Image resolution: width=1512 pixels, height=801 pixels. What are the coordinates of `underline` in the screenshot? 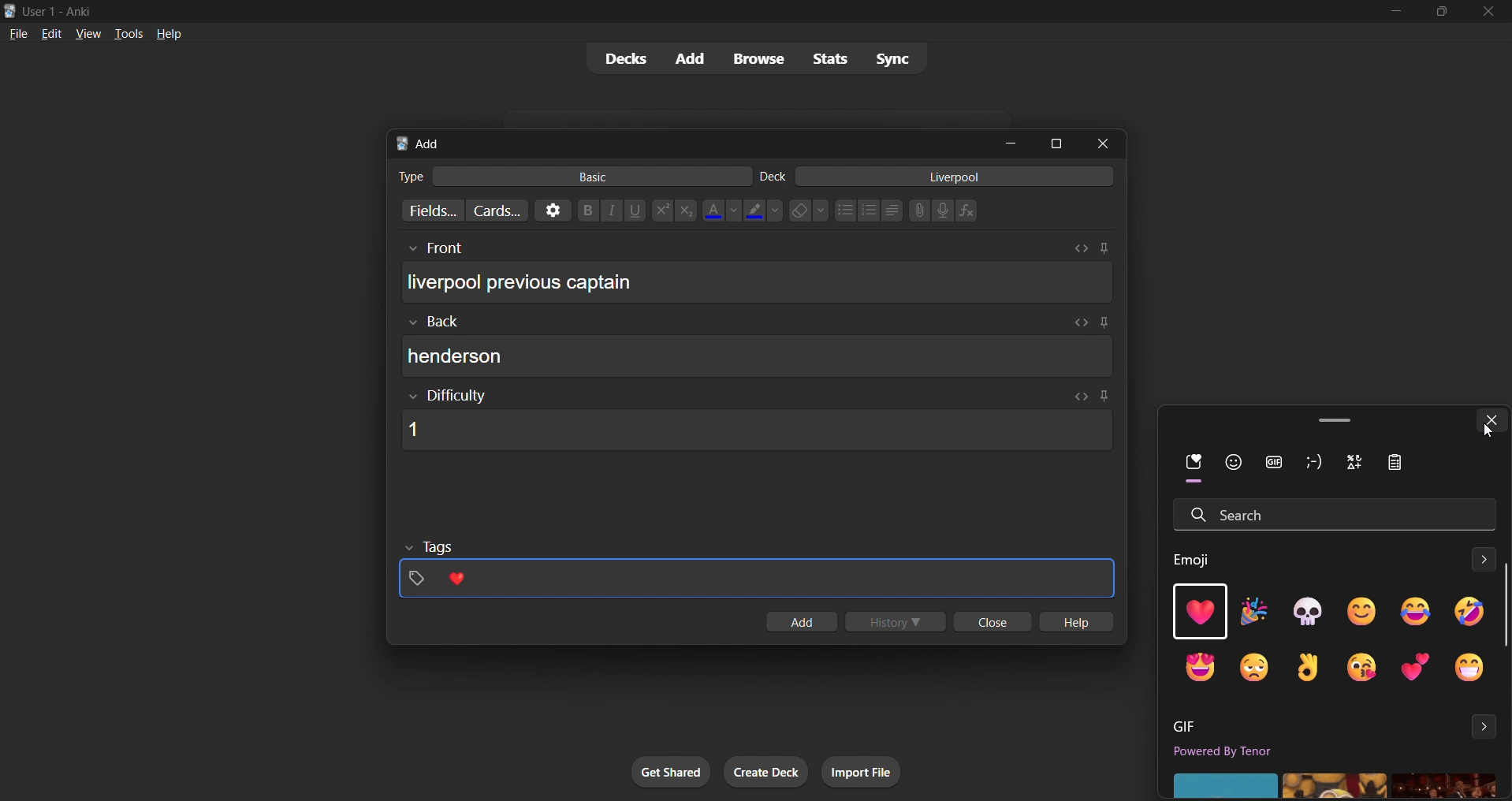 It's located at (637, 210).